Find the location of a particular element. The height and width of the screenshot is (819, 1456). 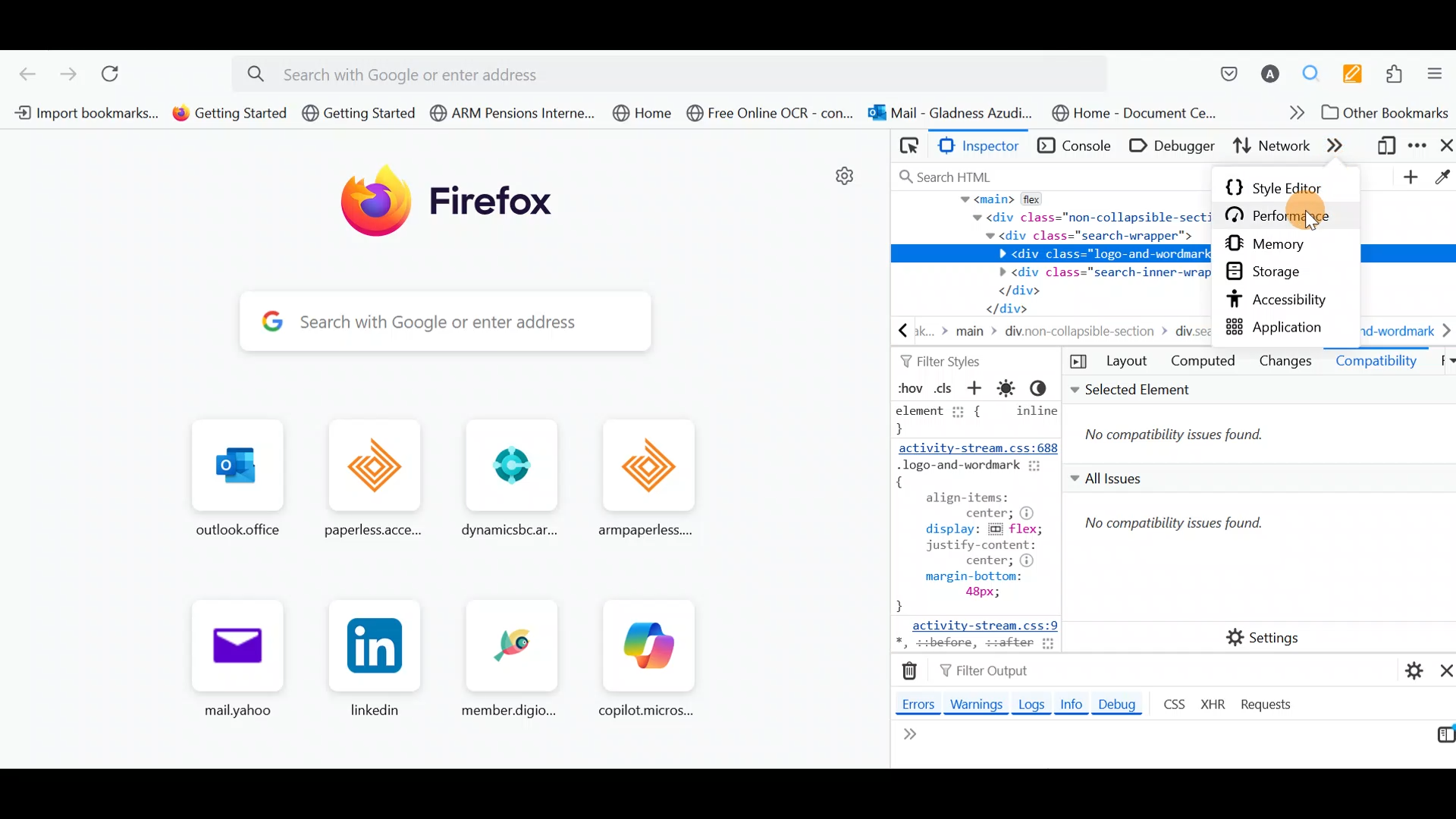

Save to pocket is located at coordinates (1221, 74).